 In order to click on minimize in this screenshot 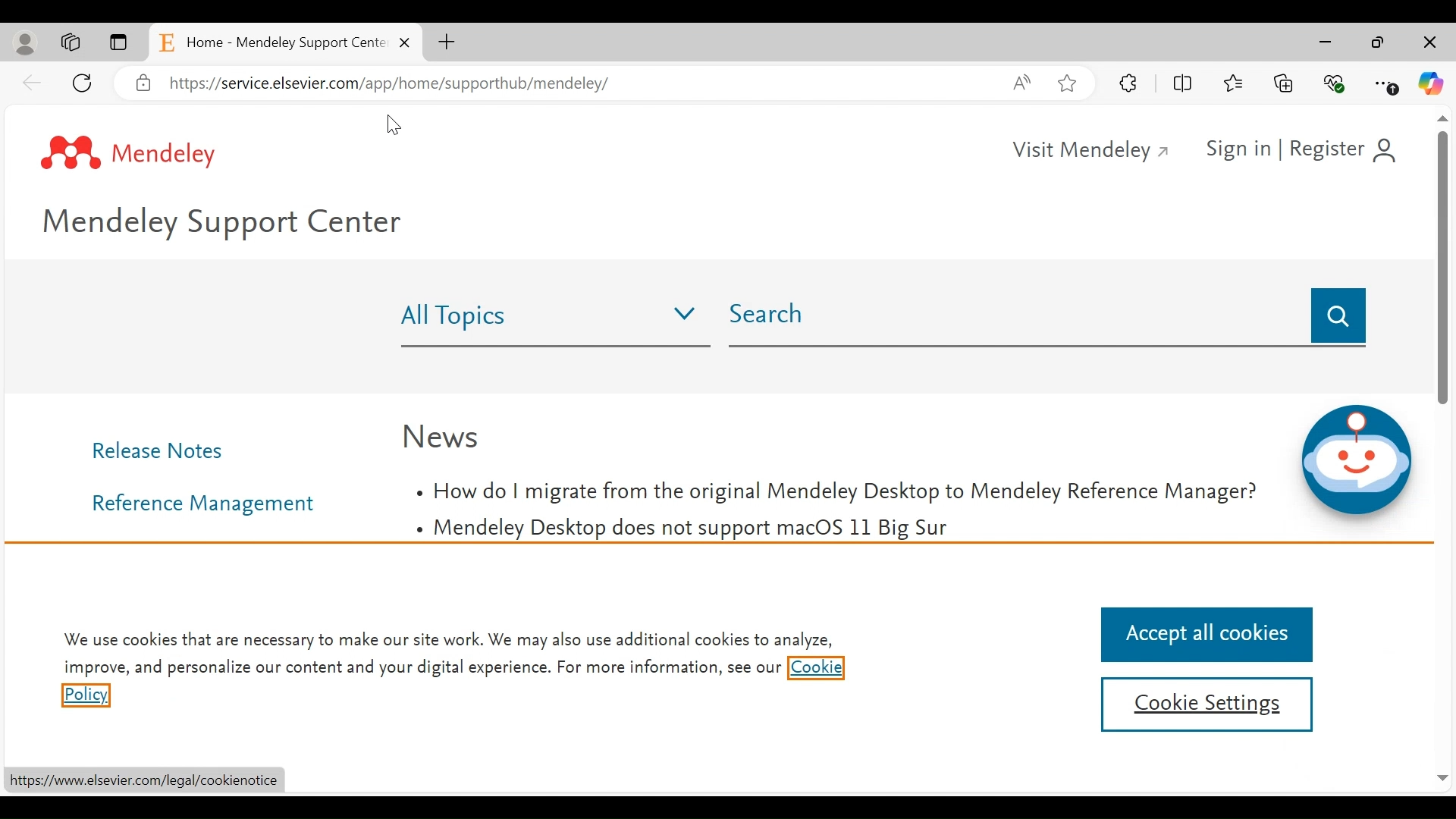, I will do `click(1327, 42)`.